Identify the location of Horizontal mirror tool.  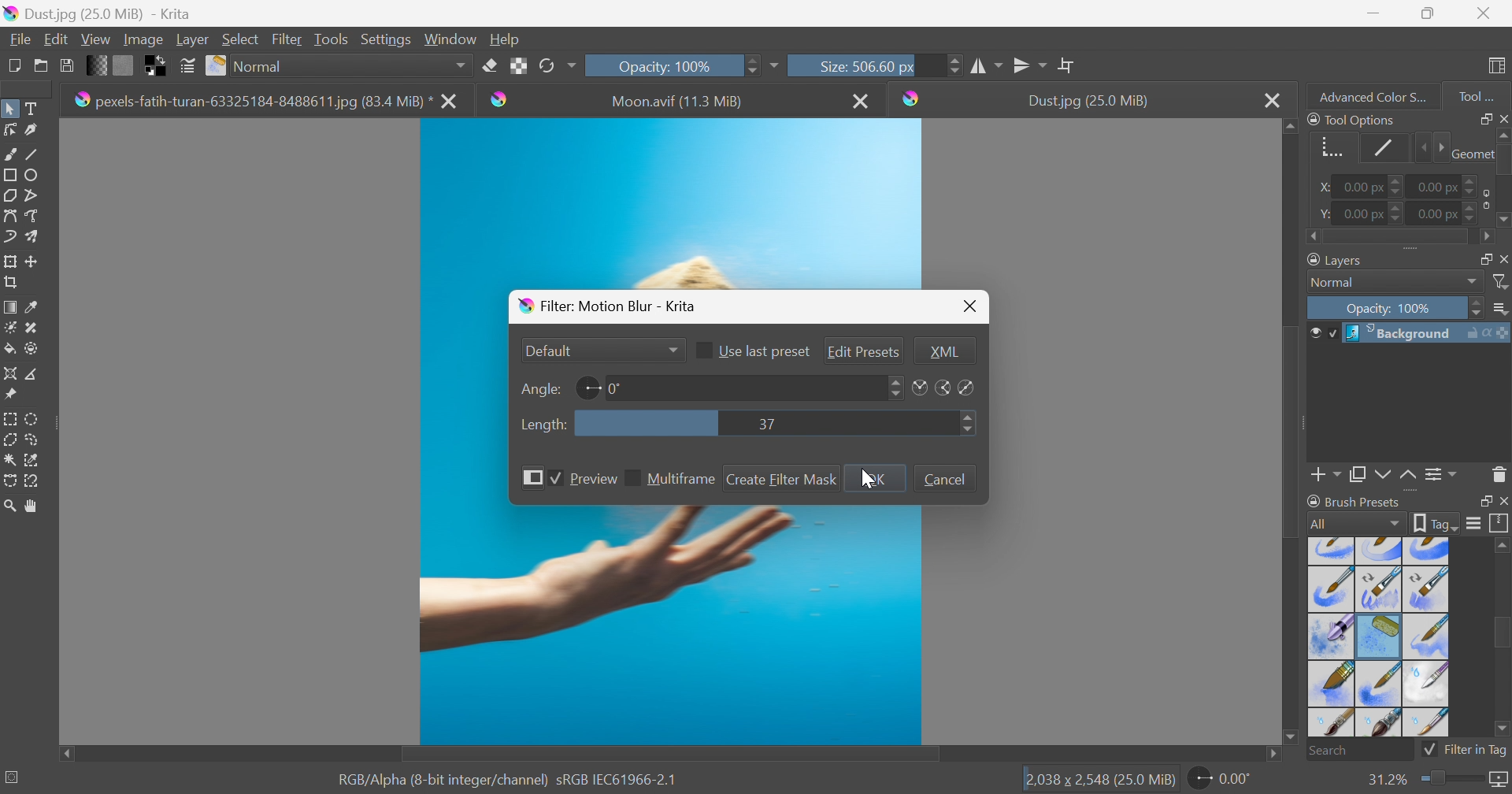
(1031, 63).